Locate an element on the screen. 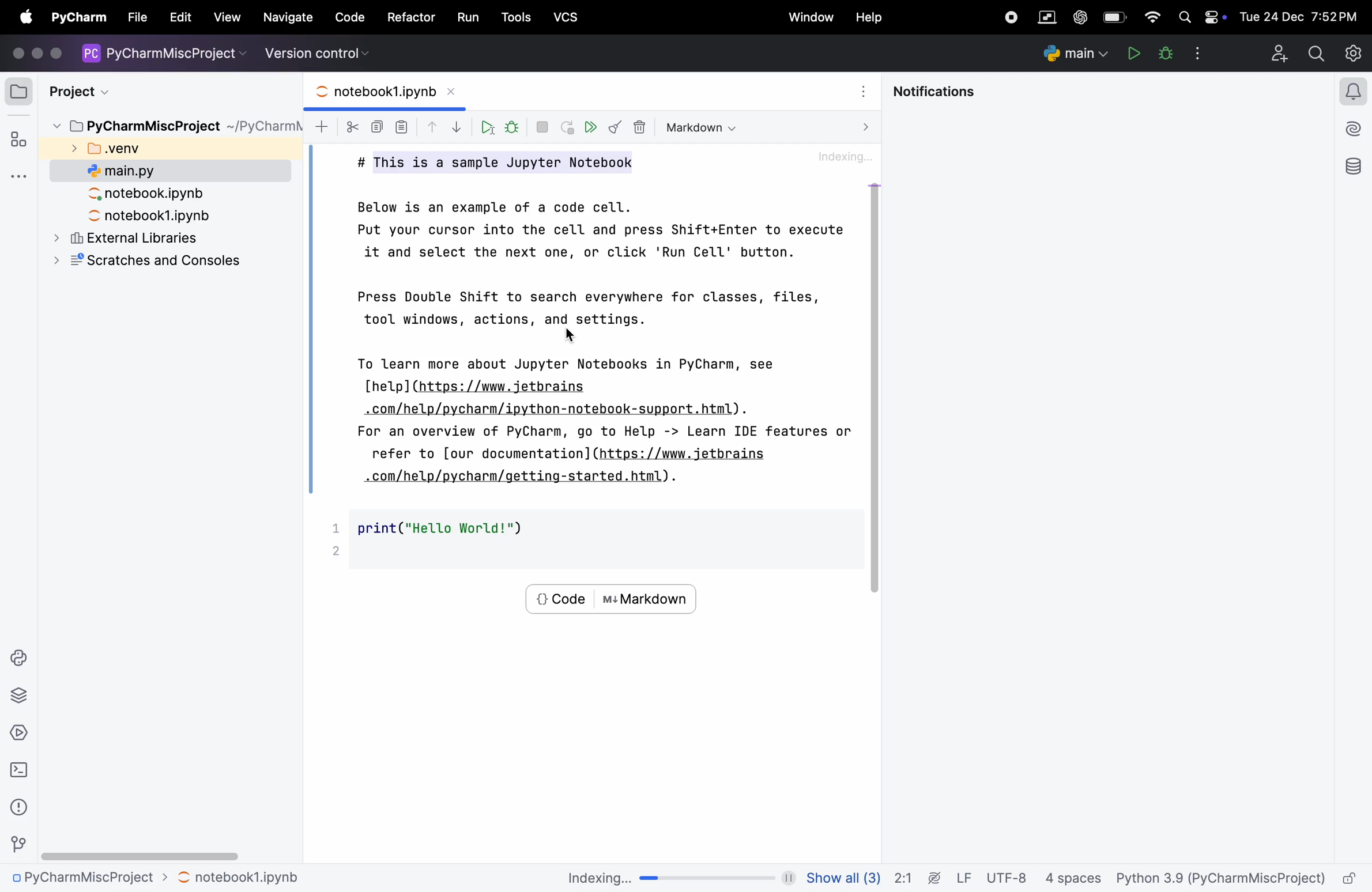  refactor is located at coordinates (412, 17).